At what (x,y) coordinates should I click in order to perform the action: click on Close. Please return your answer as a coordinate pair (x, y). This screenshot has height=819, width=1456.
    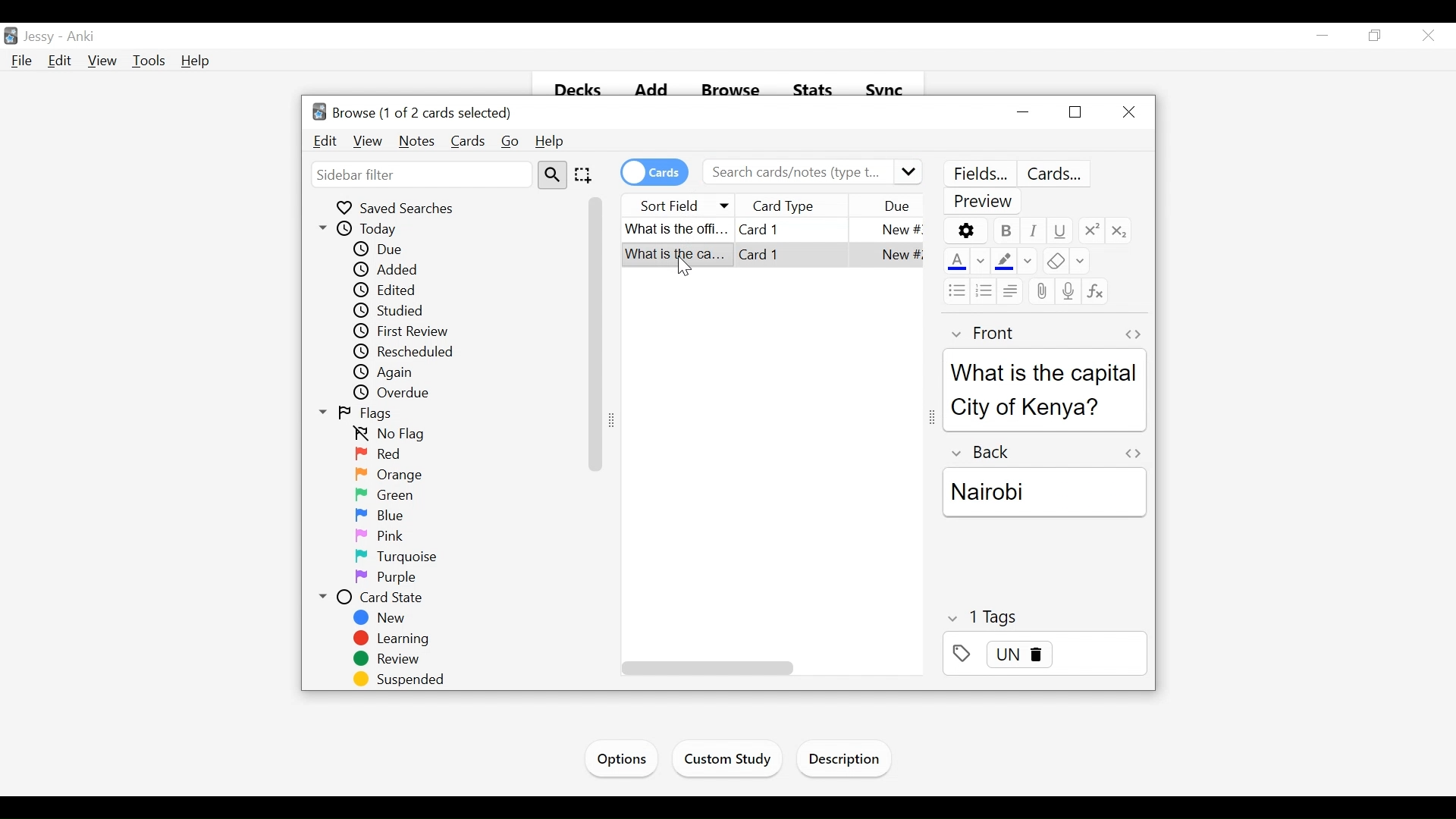
    Looking at the image, I should click on (1131, 111).